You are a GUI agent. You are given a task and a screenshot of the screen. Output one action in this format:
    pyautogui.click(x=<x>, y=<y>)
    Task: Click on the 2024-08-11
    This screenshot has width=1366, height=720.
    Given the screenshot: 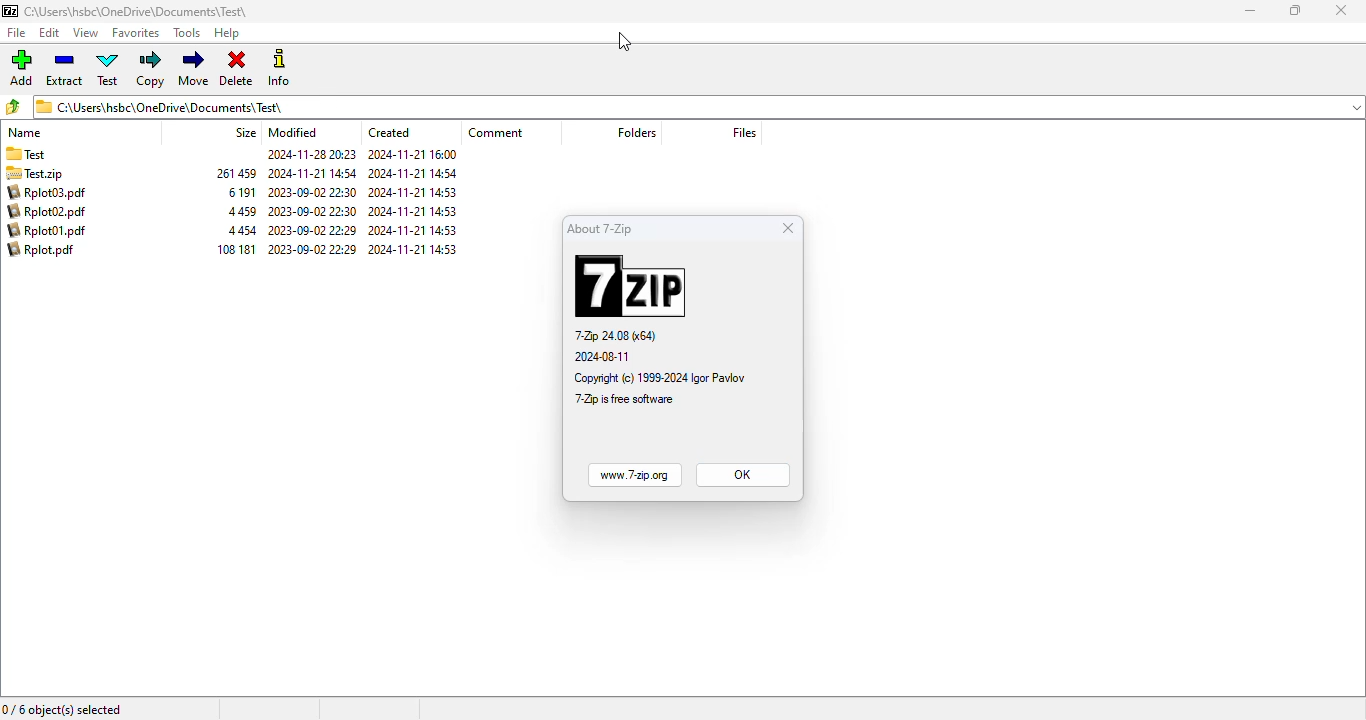 What is the action you would take?
    pyautogui.click(x=603, y=357)
    